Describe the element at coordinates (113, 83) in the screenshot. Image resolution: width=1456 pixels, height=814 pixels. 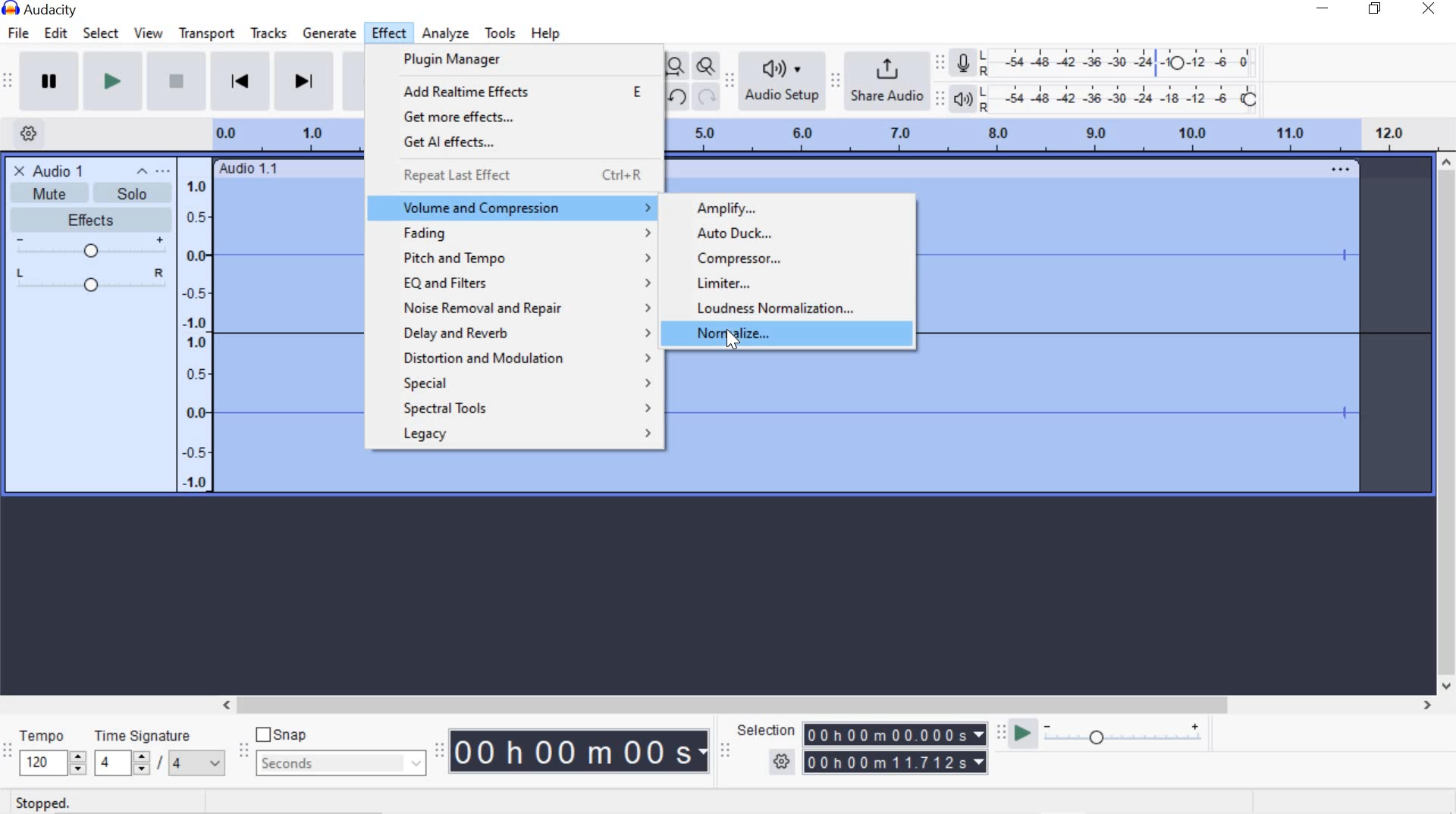
I see `Play` at that location.